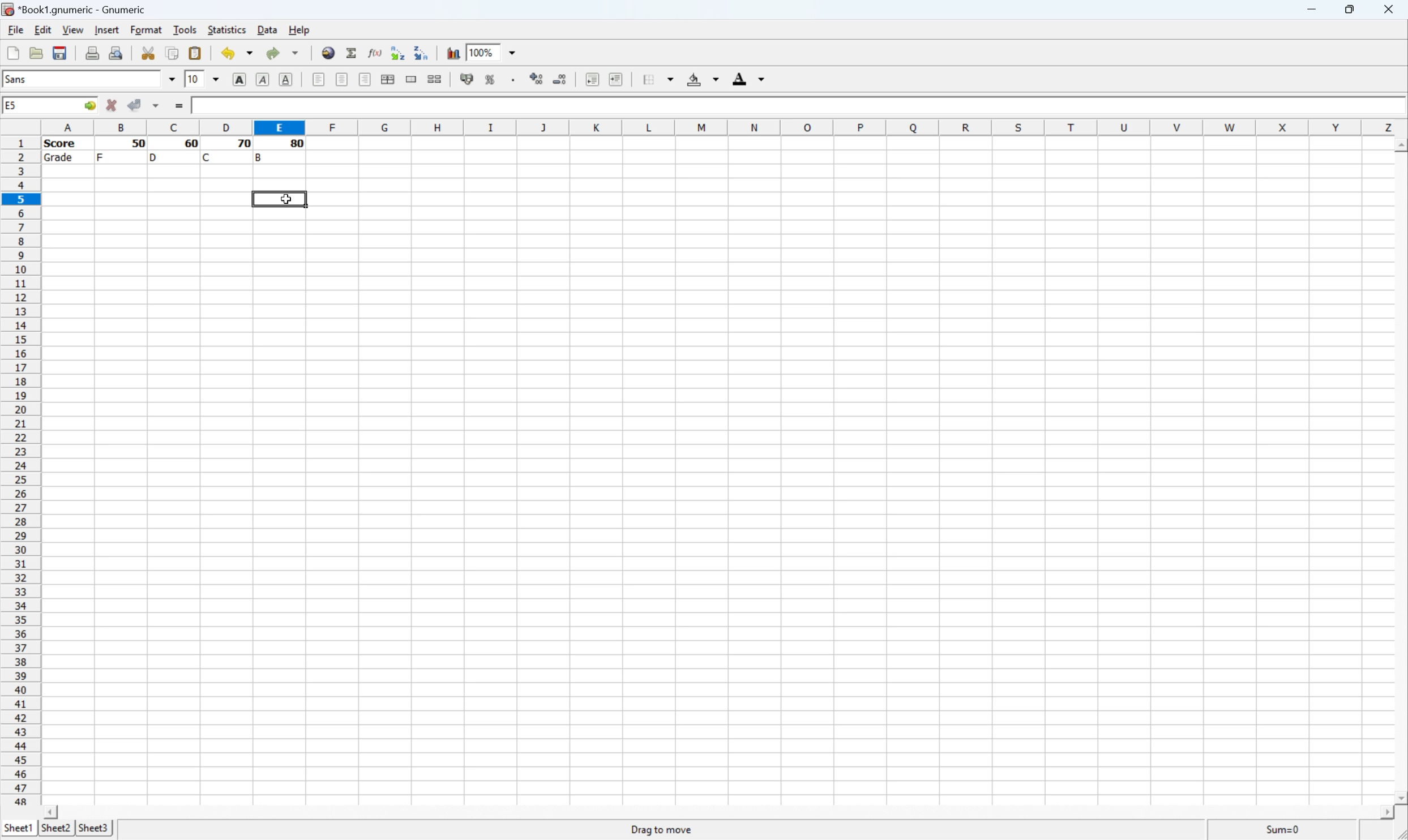  What do you see at coordinates (660, 78) in the screenshot?
I see `Borders` at bounding box center [660, 78].